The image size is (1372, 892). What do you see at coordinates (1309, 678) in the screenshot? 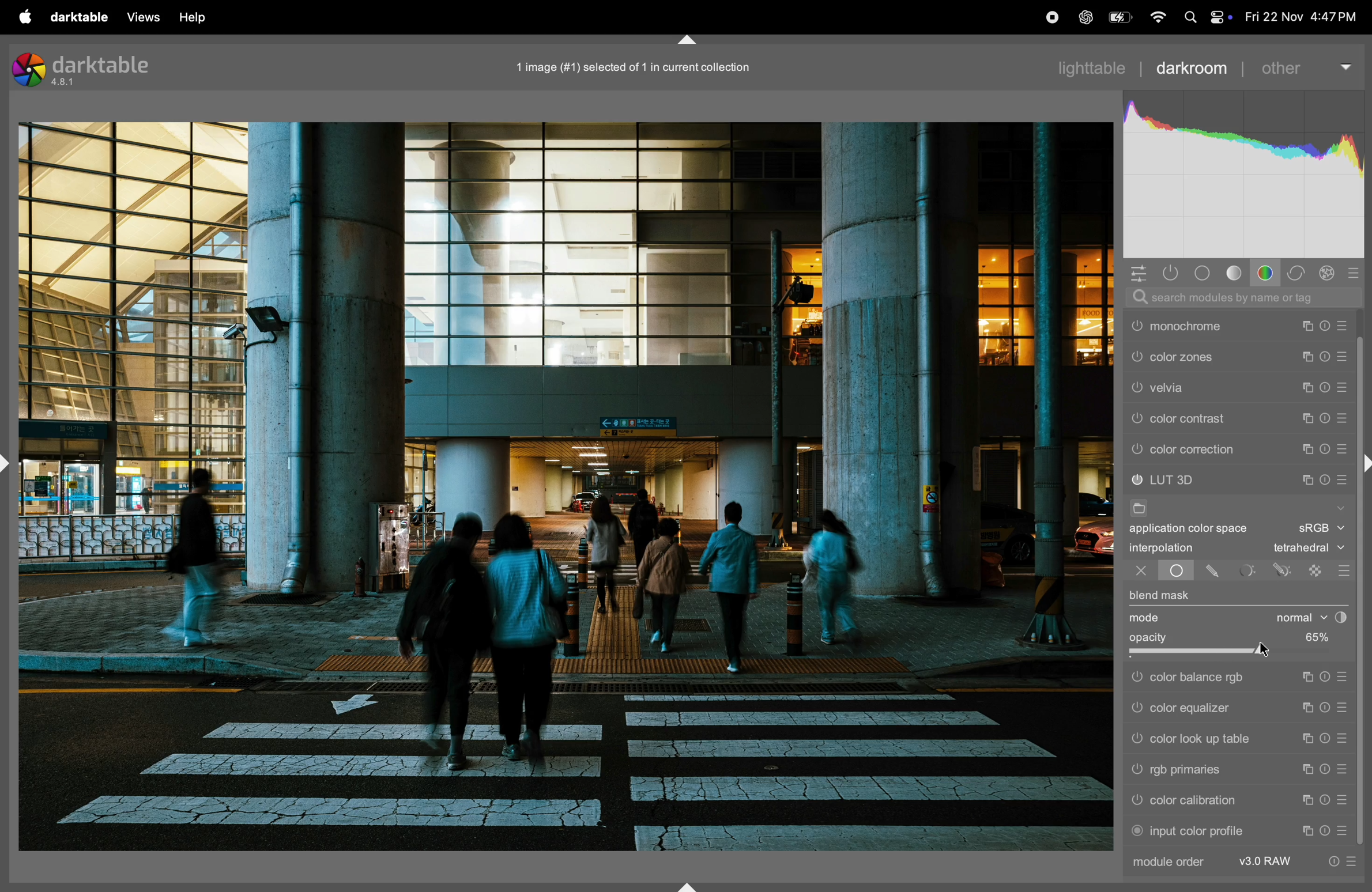
I see `multiple instance actions` at bounding box center [1309, 678].